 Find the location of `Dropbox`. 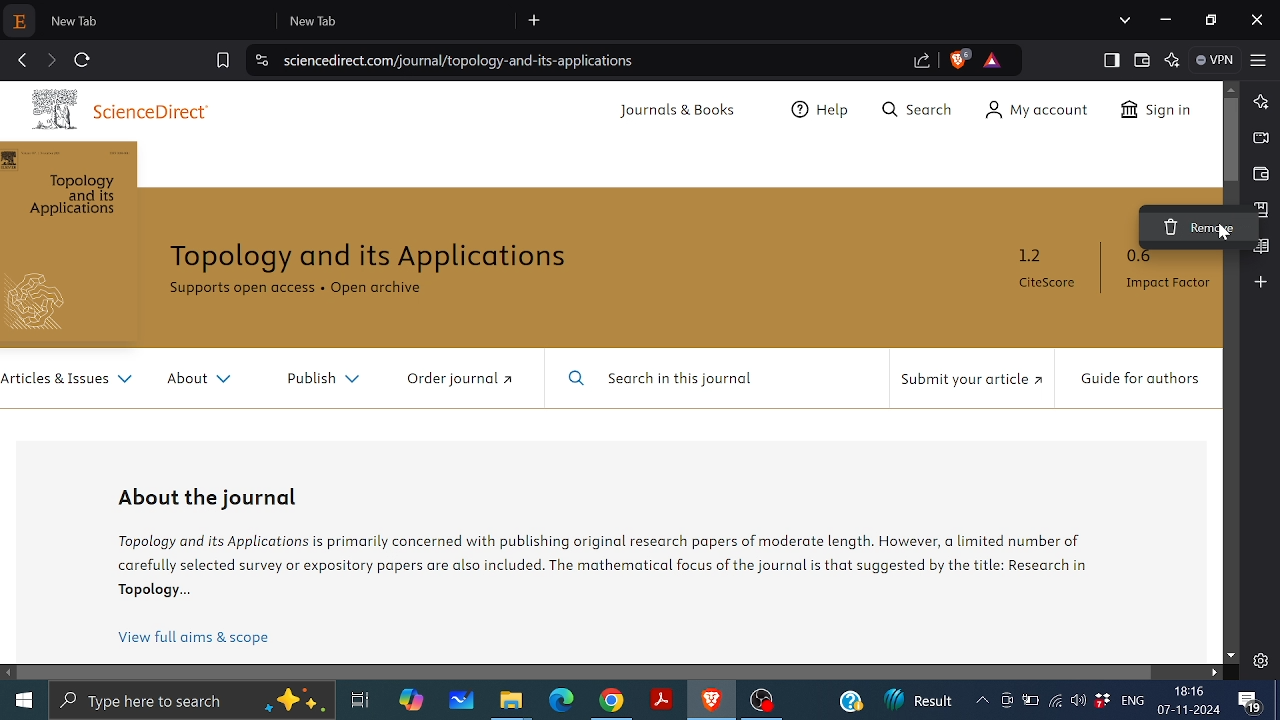

Dropbox is located at coordinates (1101, 702).